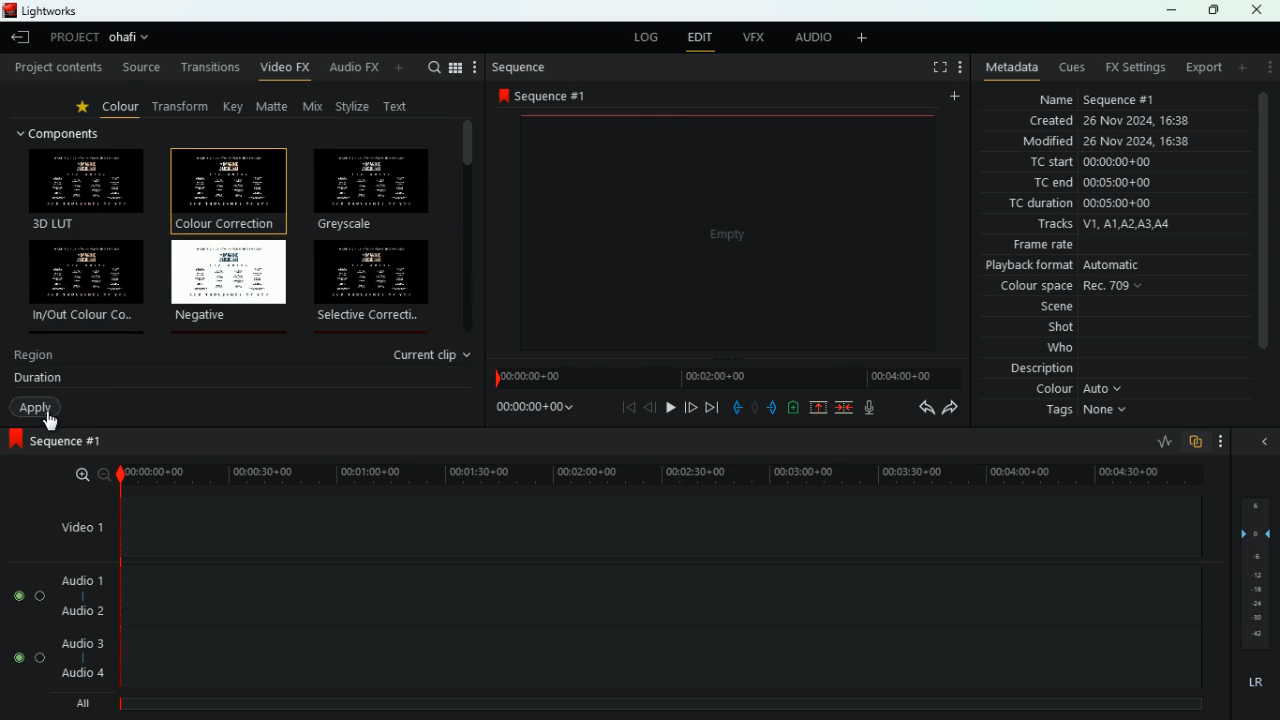 This screenshot has height=720, width=1280. I want to click on export, so click(1203, 67).